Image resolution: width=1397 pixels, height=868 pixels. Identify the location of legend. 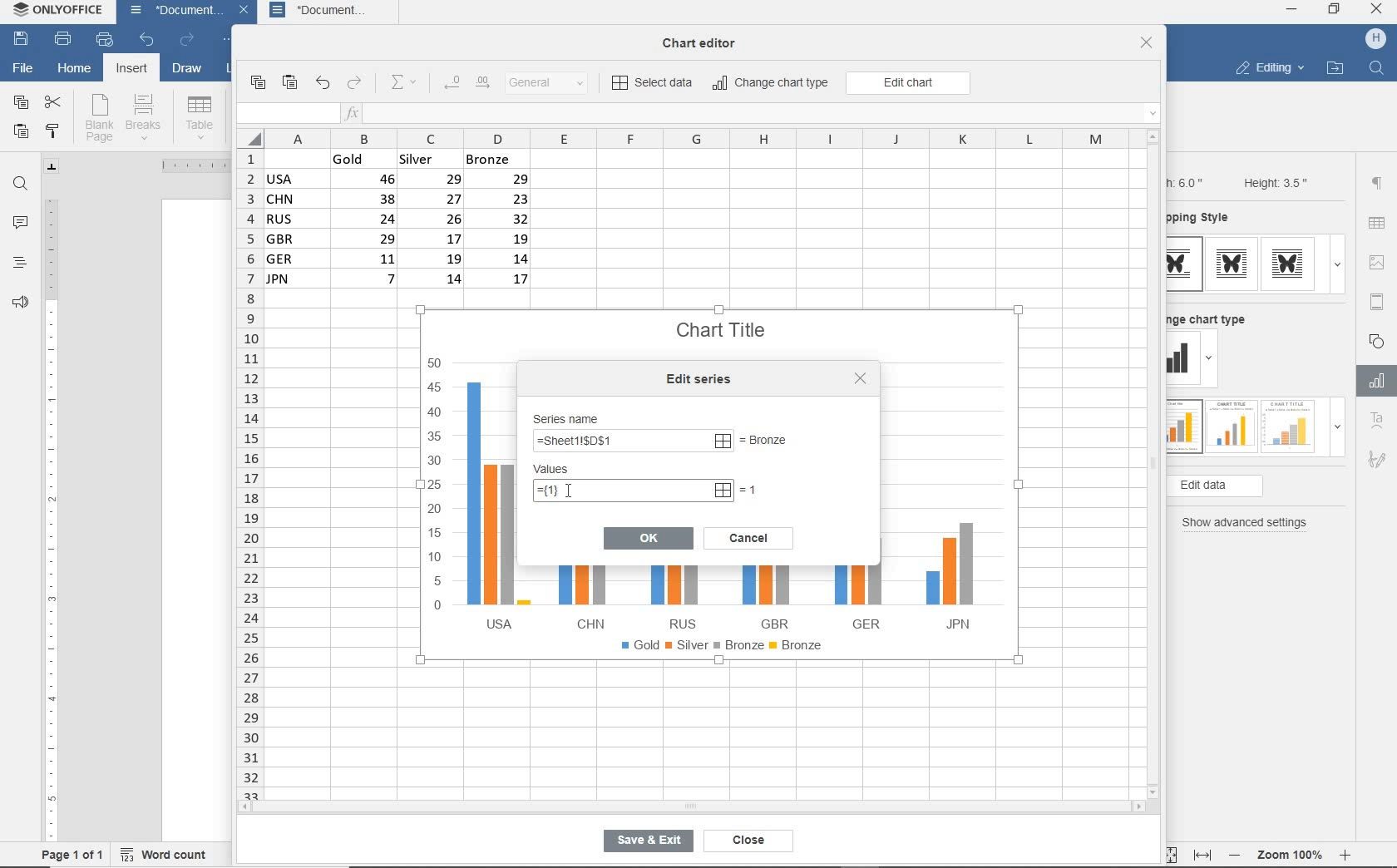
(726, 649).